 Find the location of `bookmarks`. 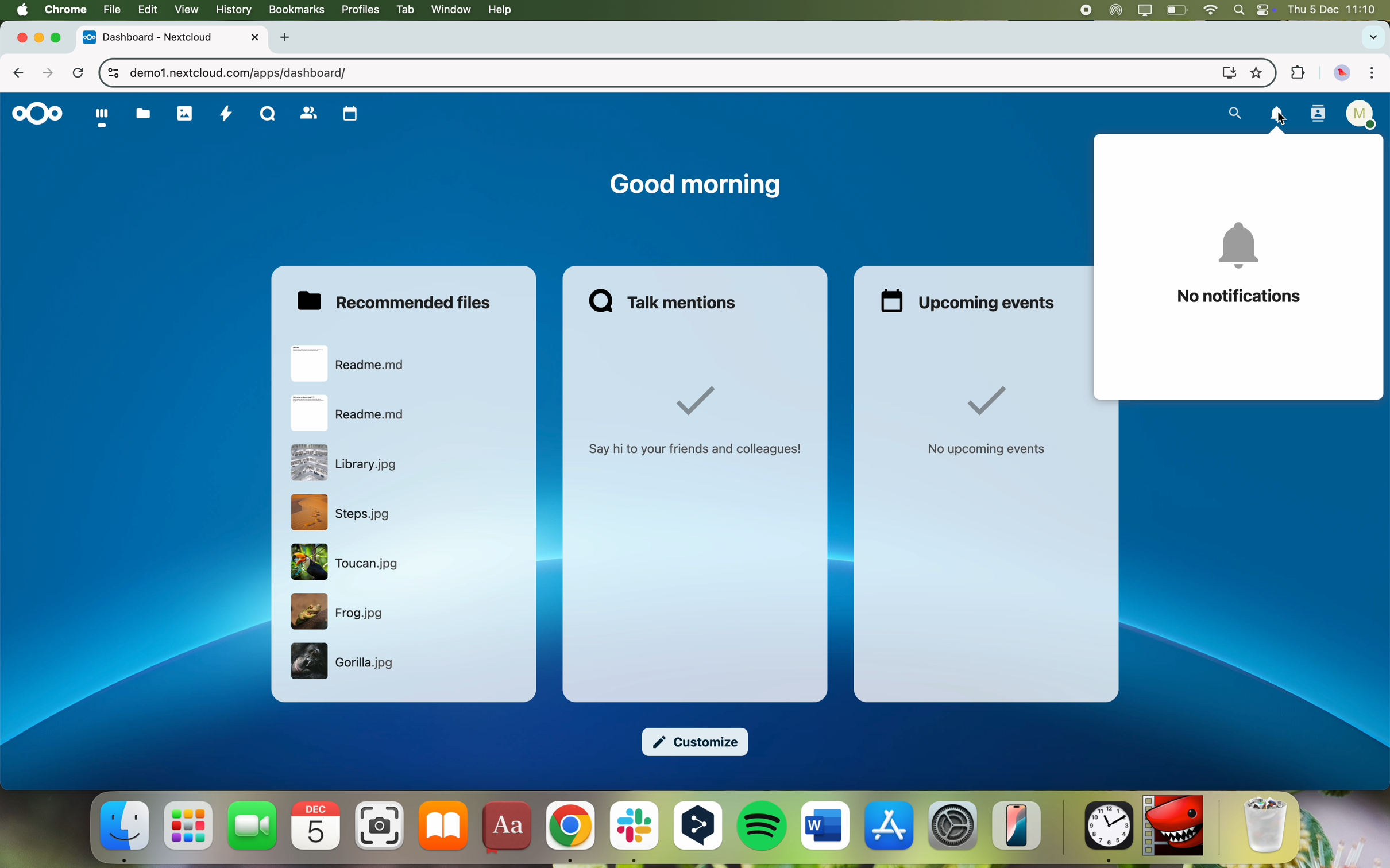

bookmarks is located at coordinates (295, 10).